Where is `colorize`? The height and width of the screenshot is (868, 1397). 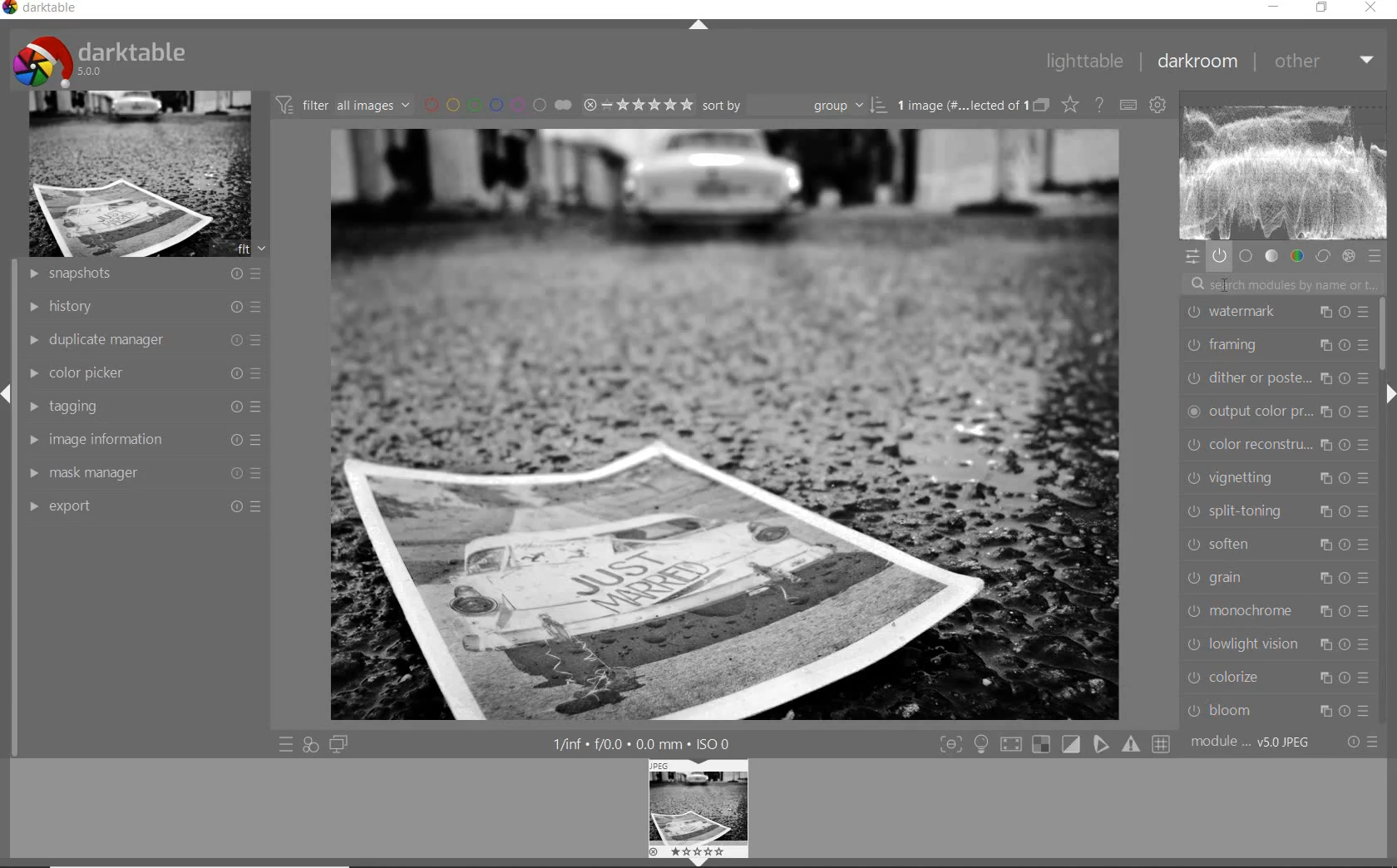 colorize is located at coordinates (1277, 678).